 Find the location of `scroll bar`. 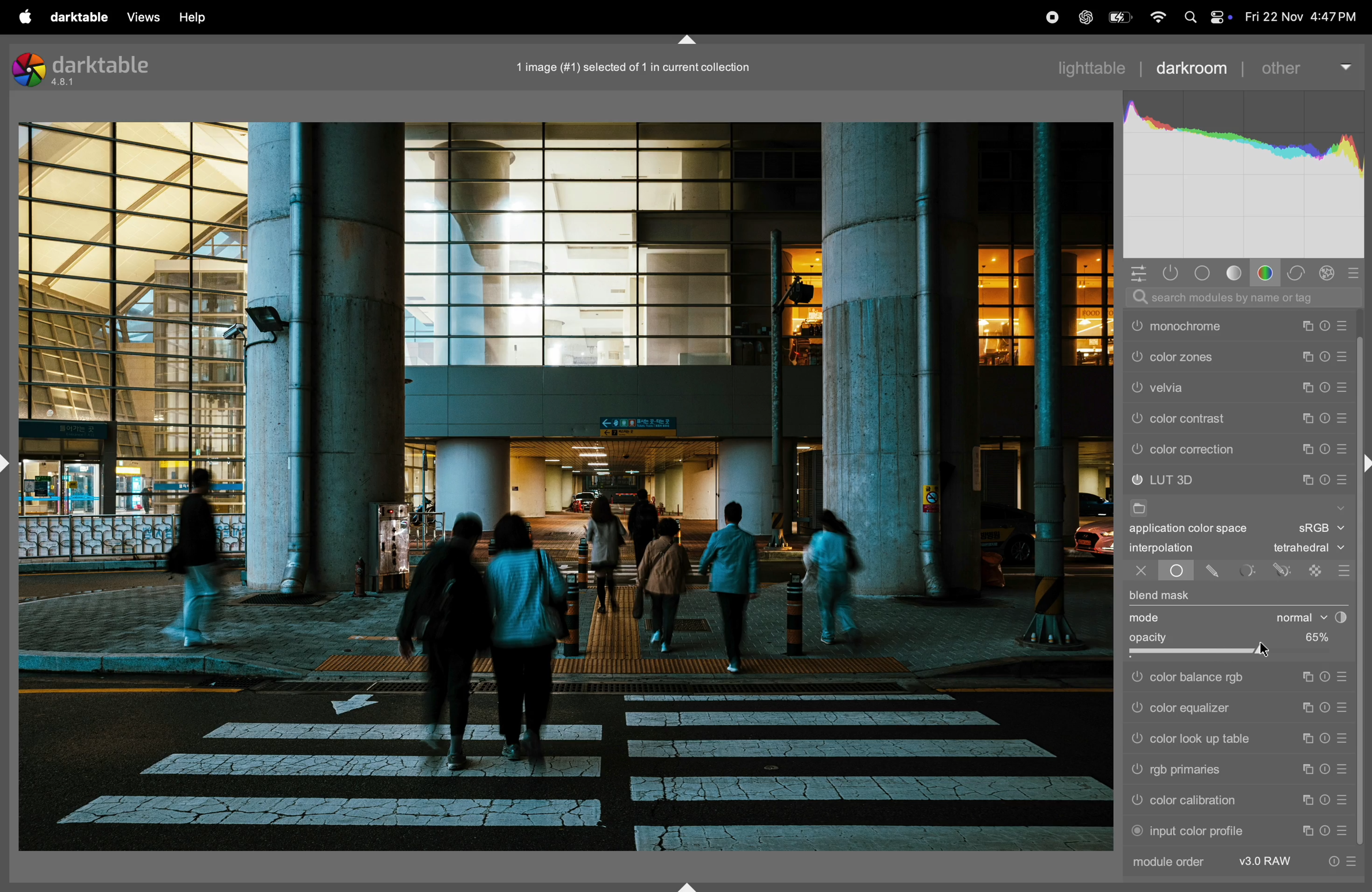

scroll bar is located at coordinates (1363, 664).